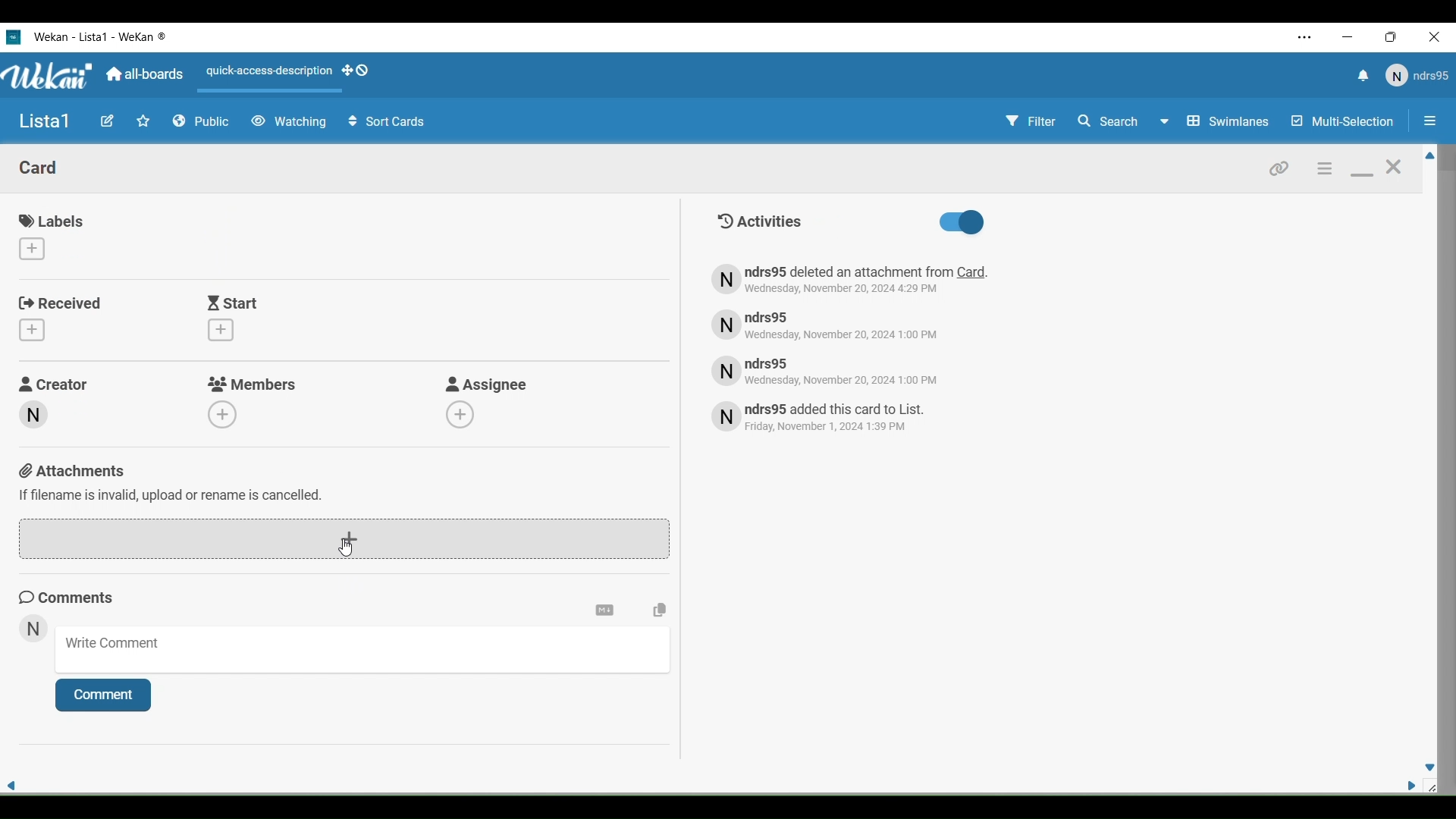  What do you see at coordinates (173, 482) in the screenshot?
I see `Attachments` at bounding box center [173, 482].